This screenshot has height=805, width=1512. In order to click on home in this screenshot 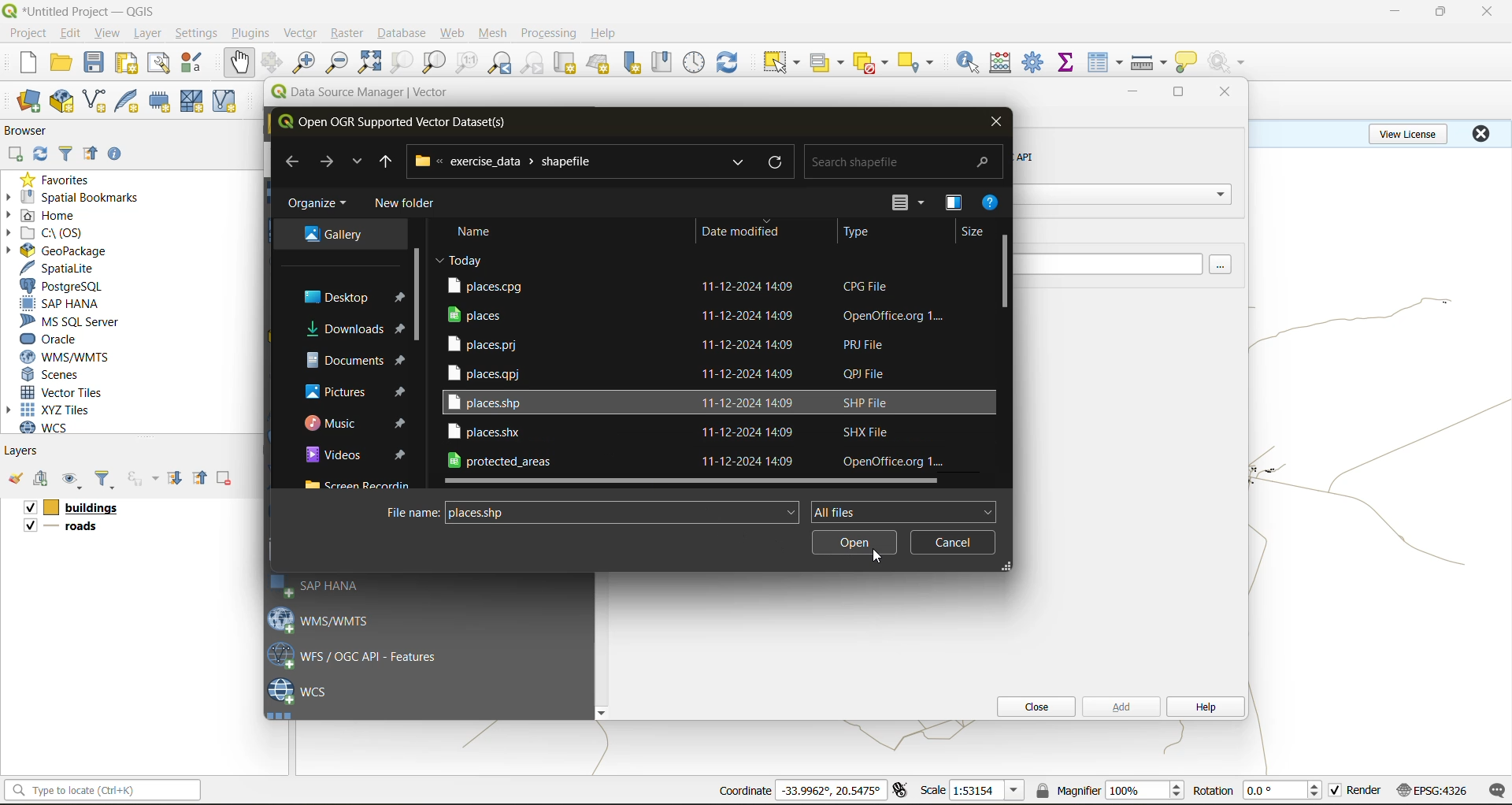, I will do `click(47, 217)`.